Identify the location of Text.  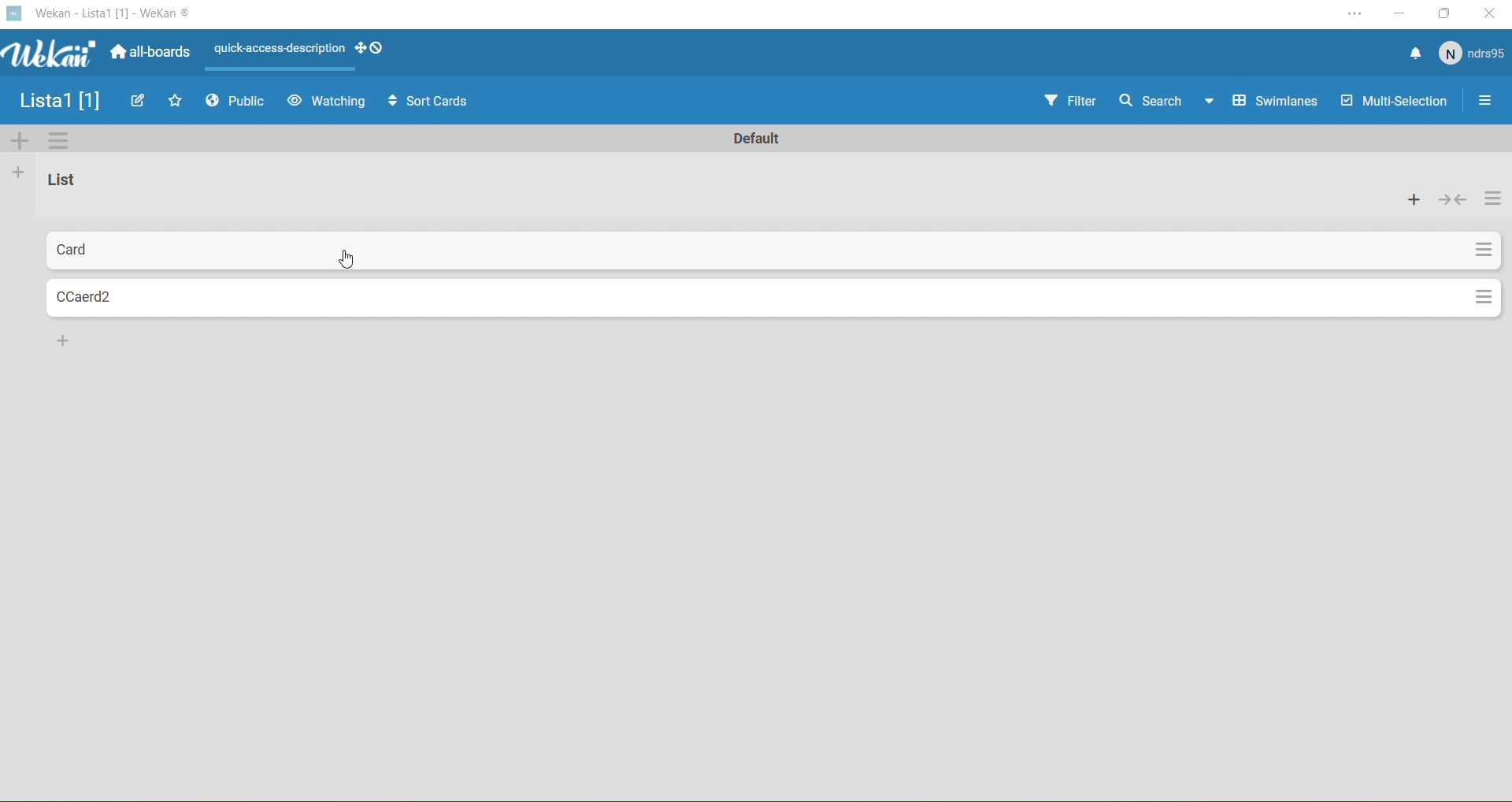
(749, 137).